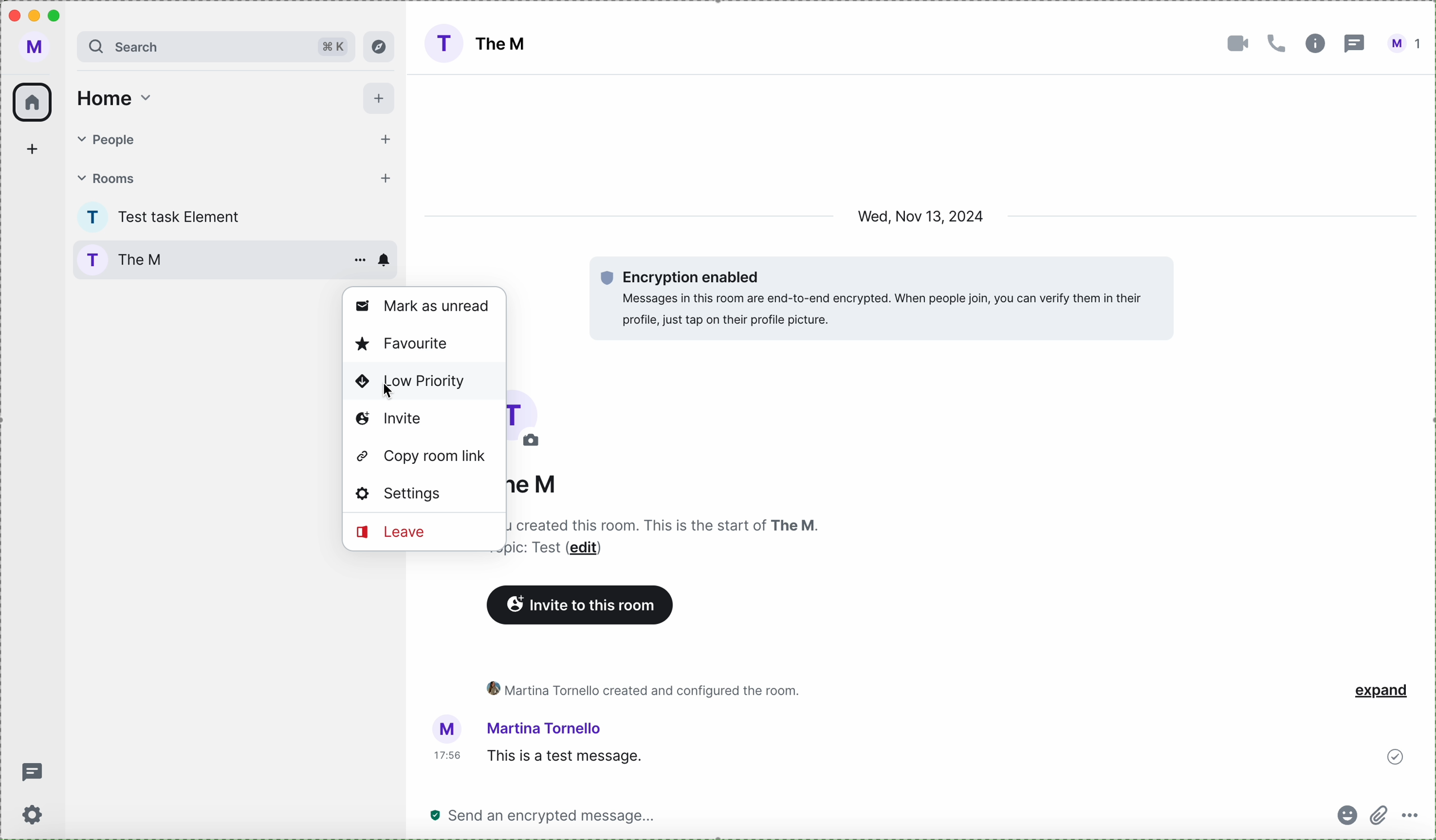 The width and height of the screenshot is (1436, 840). Describe the element at coordinates (1353, 44) in the screenshot. I see `threads` at that location.